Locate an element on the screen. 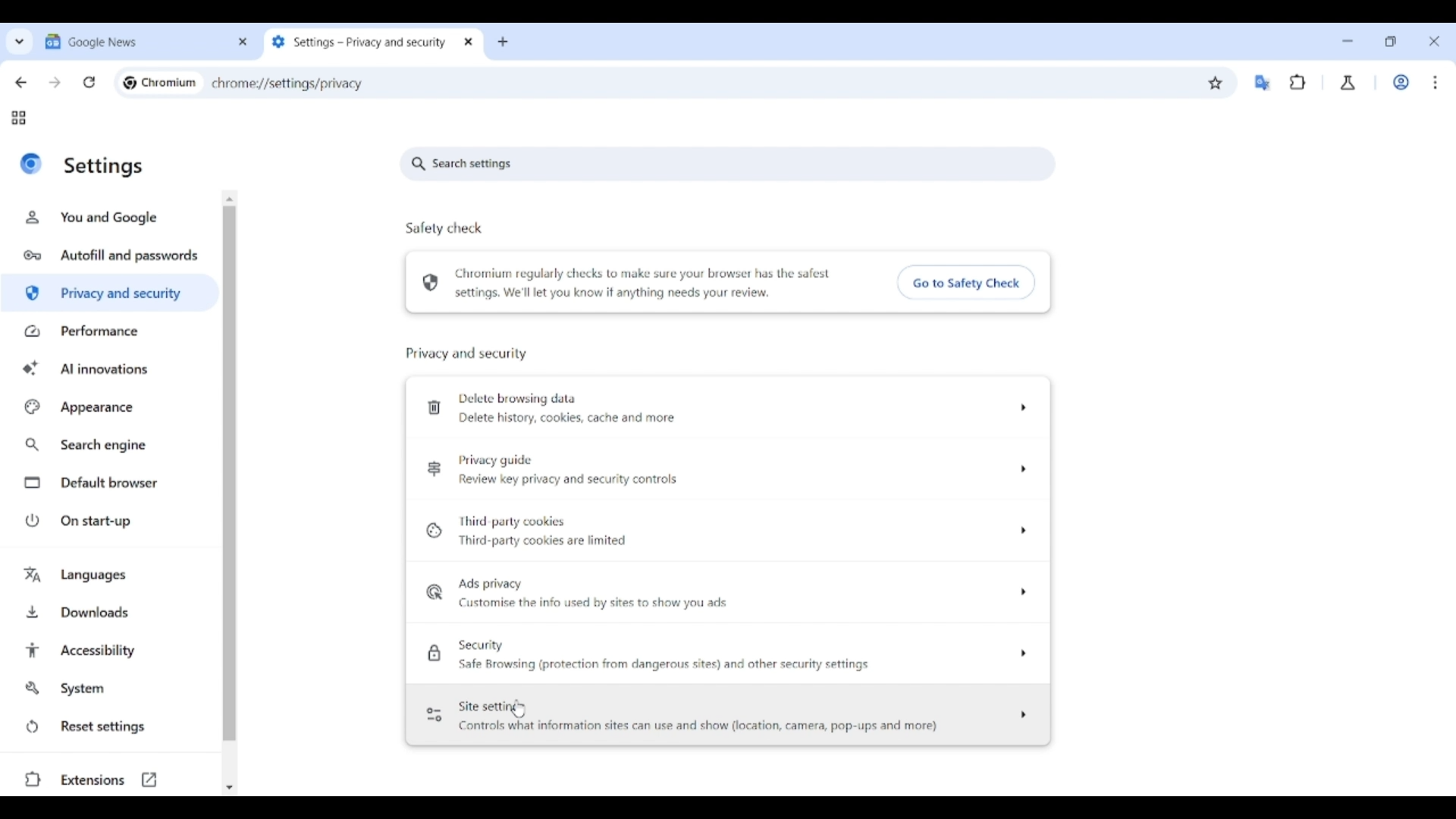  Autofill and passwords is located at coordinates (112, 256).